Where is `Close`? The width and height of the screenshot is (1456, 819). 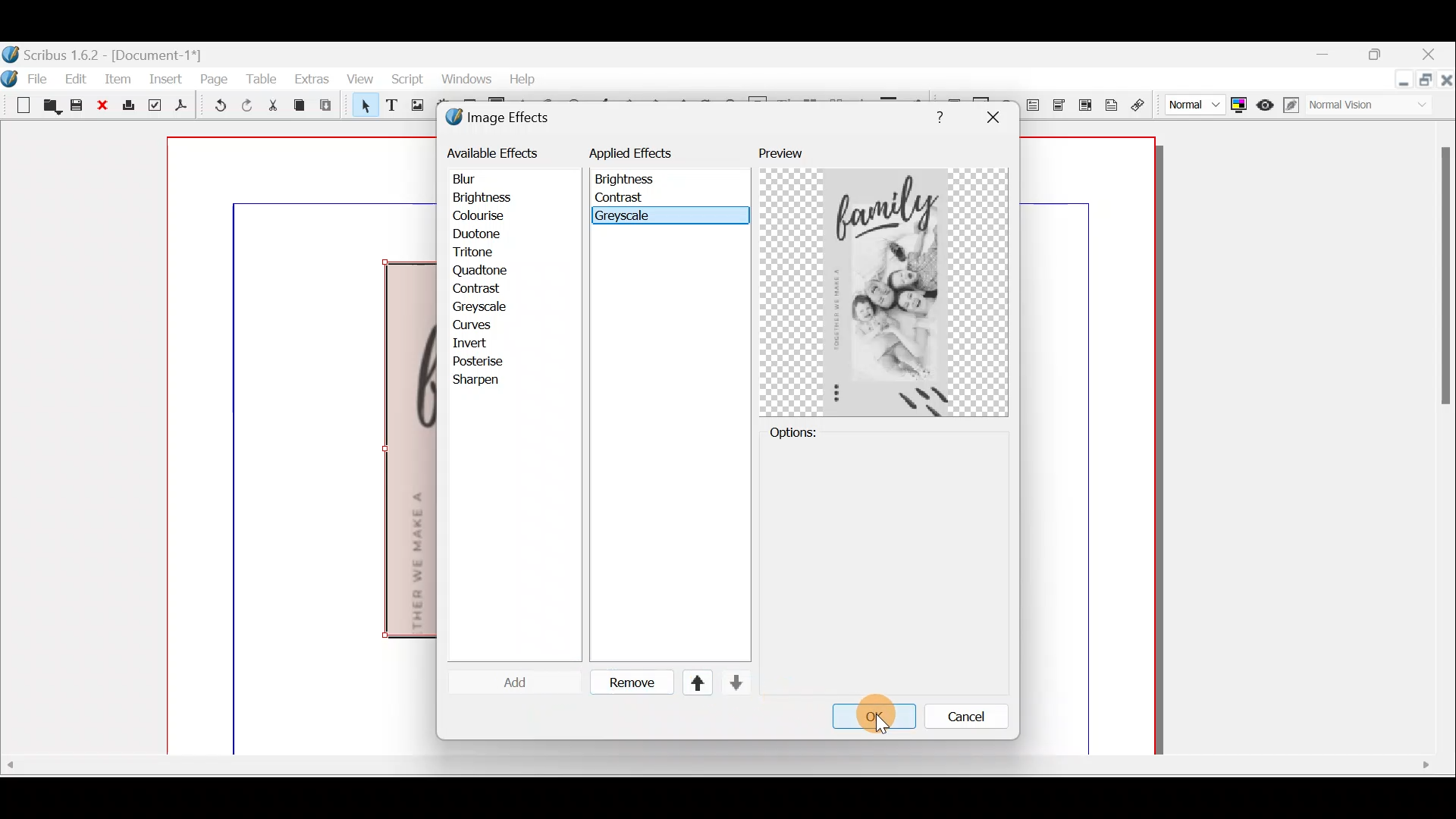 Close is located at coordinates (1433, 54).